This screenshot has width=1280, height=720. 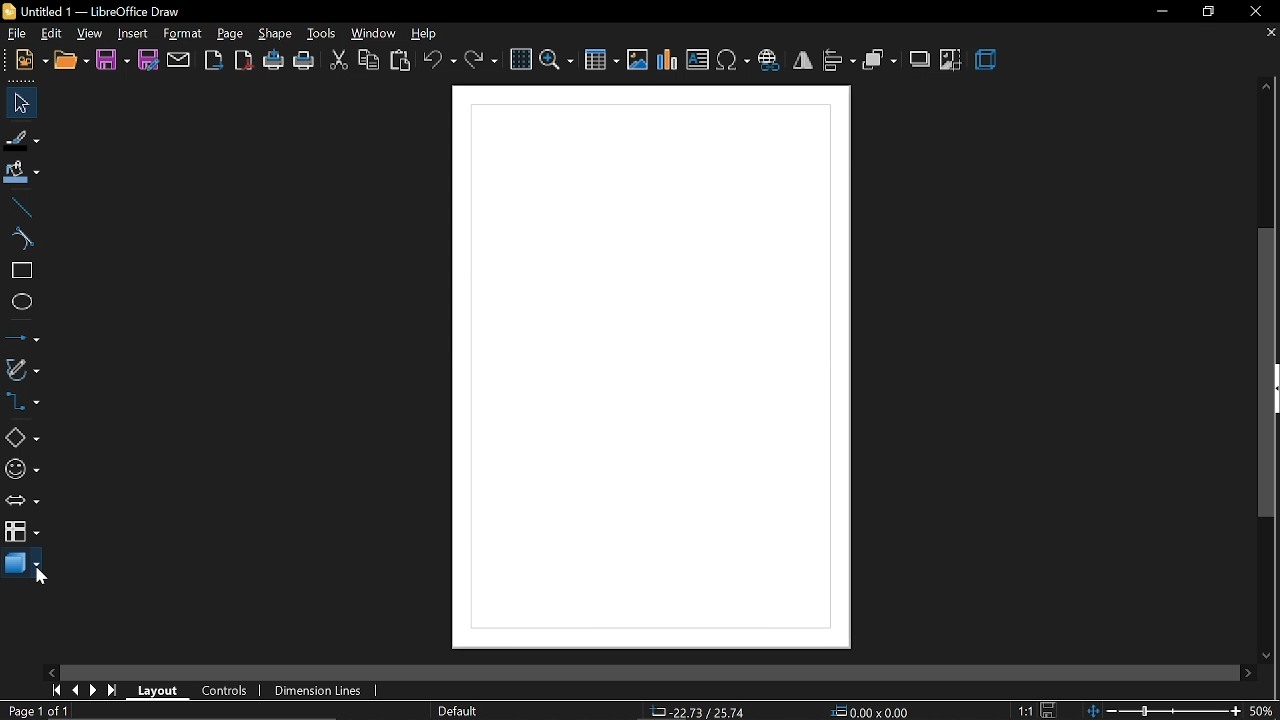 I want to click on change zoom, so click(x=1160, y=712).